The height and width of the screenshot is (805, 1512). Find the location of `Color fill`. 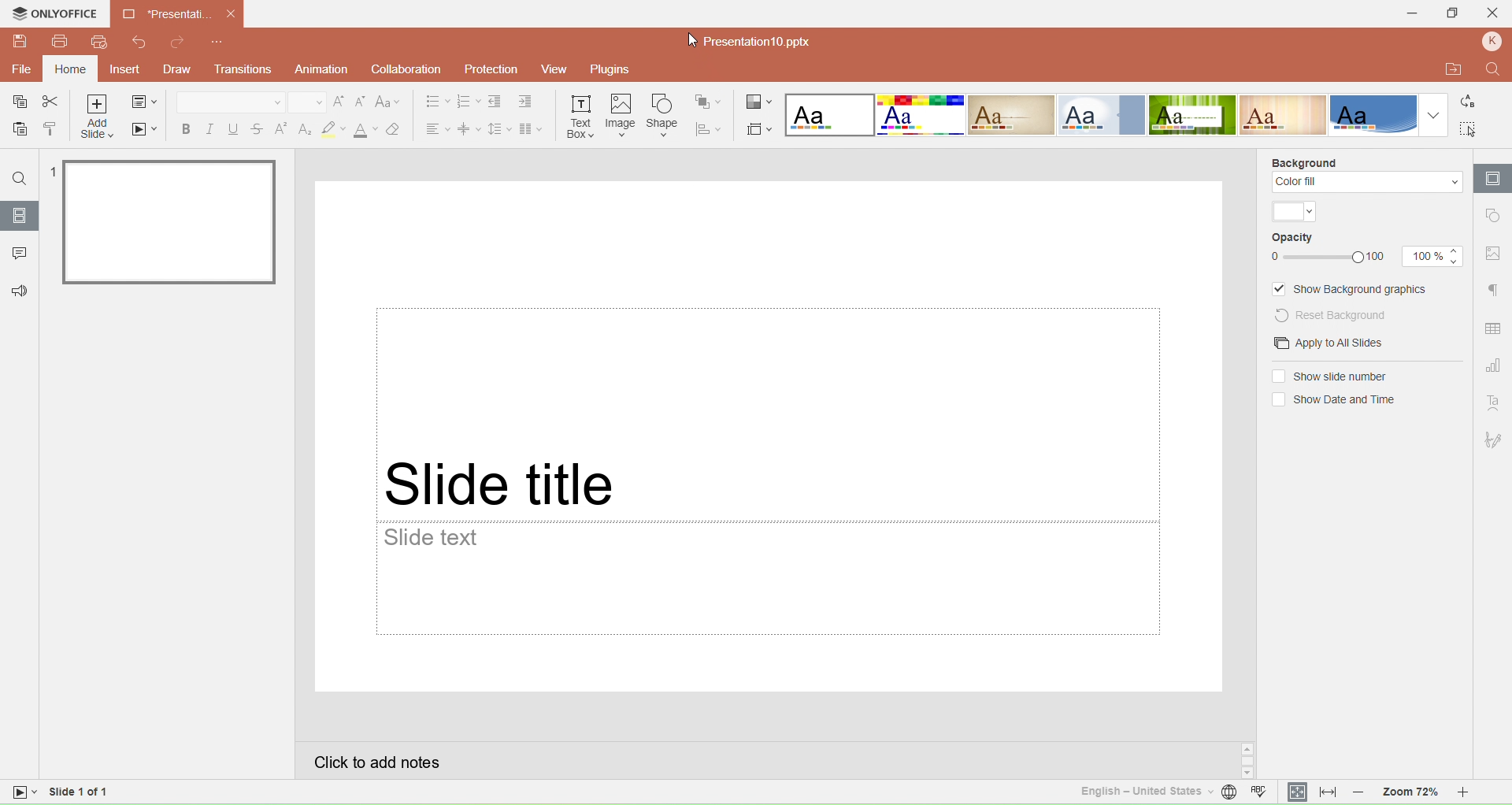

Color fill is located at coordinates (1366, 183).